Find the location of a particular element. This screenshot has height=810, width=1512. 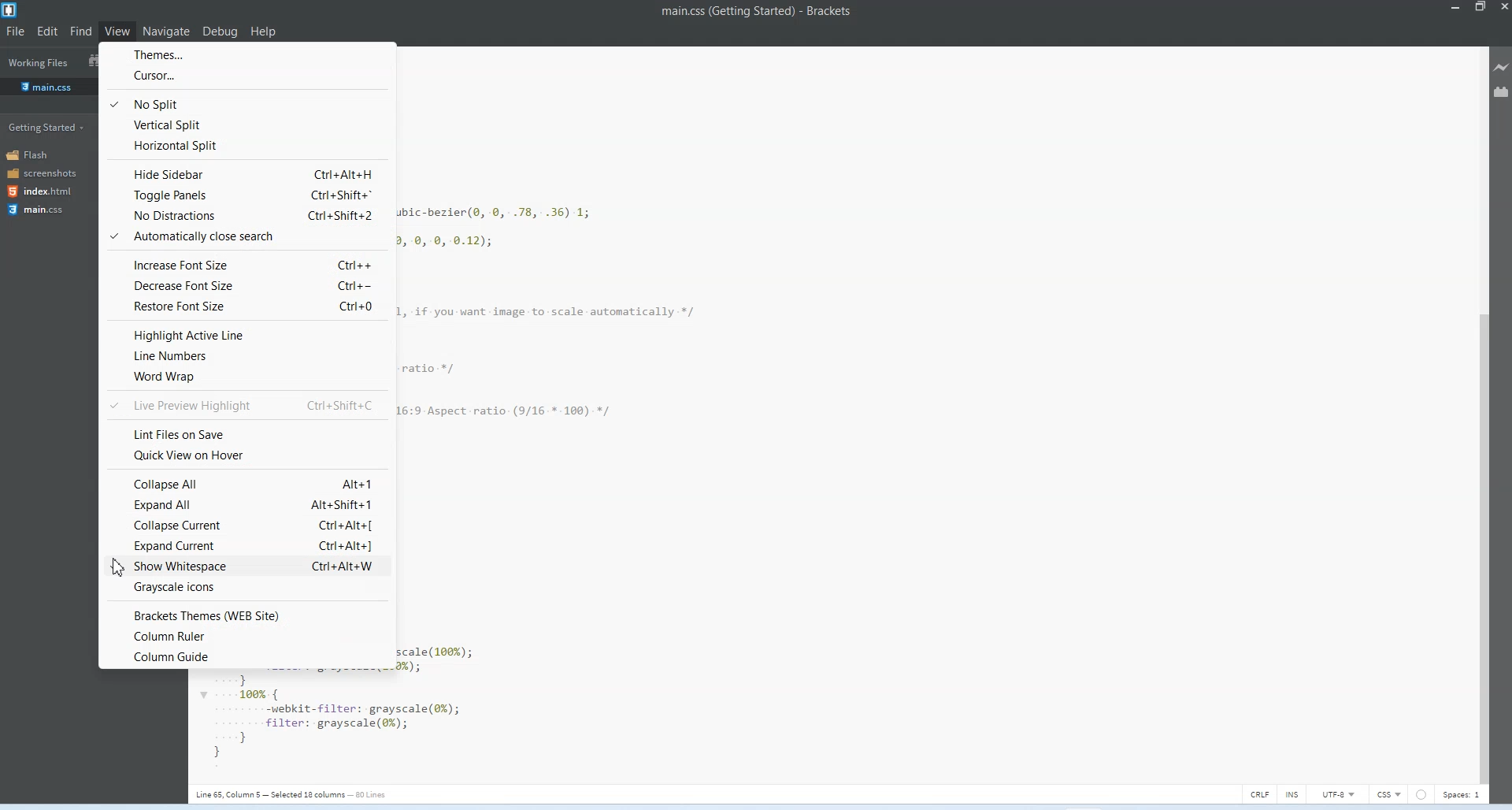

Edit is located at coordinates (47, 30).